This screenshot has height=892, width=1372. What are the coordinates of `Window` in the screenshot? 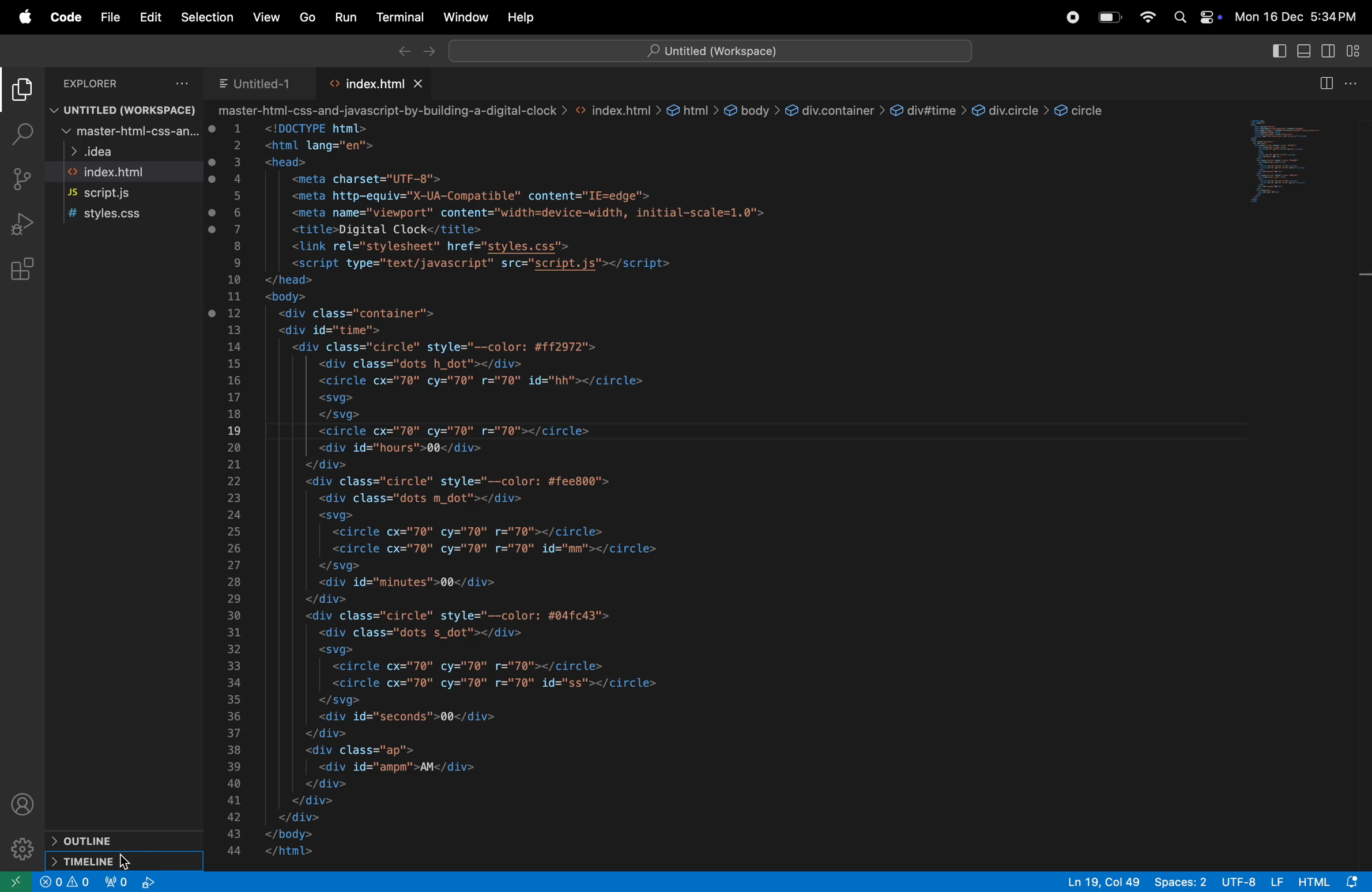 It's located at (467, 16).